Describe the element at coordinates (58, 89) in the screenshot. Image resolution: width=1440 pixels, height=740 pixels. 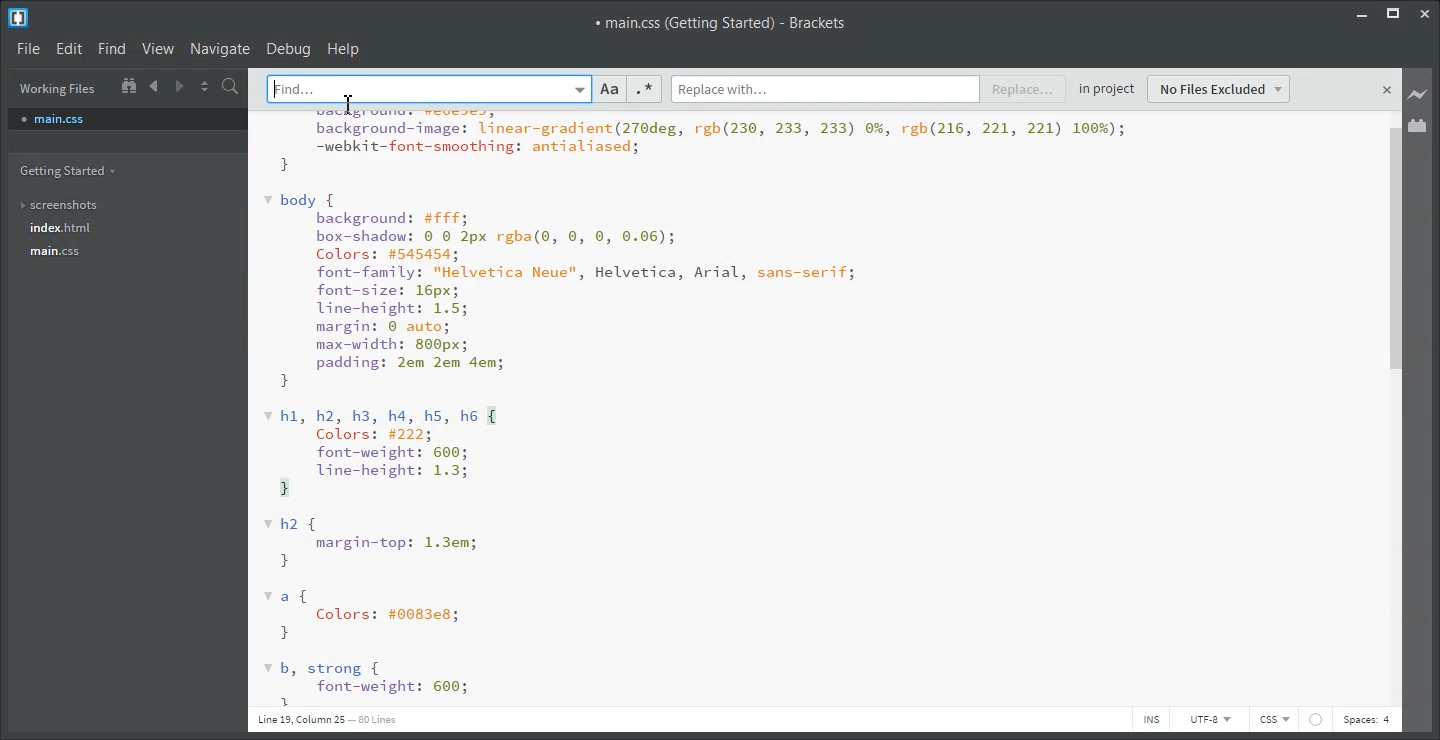
I see `Working Files` at that location.